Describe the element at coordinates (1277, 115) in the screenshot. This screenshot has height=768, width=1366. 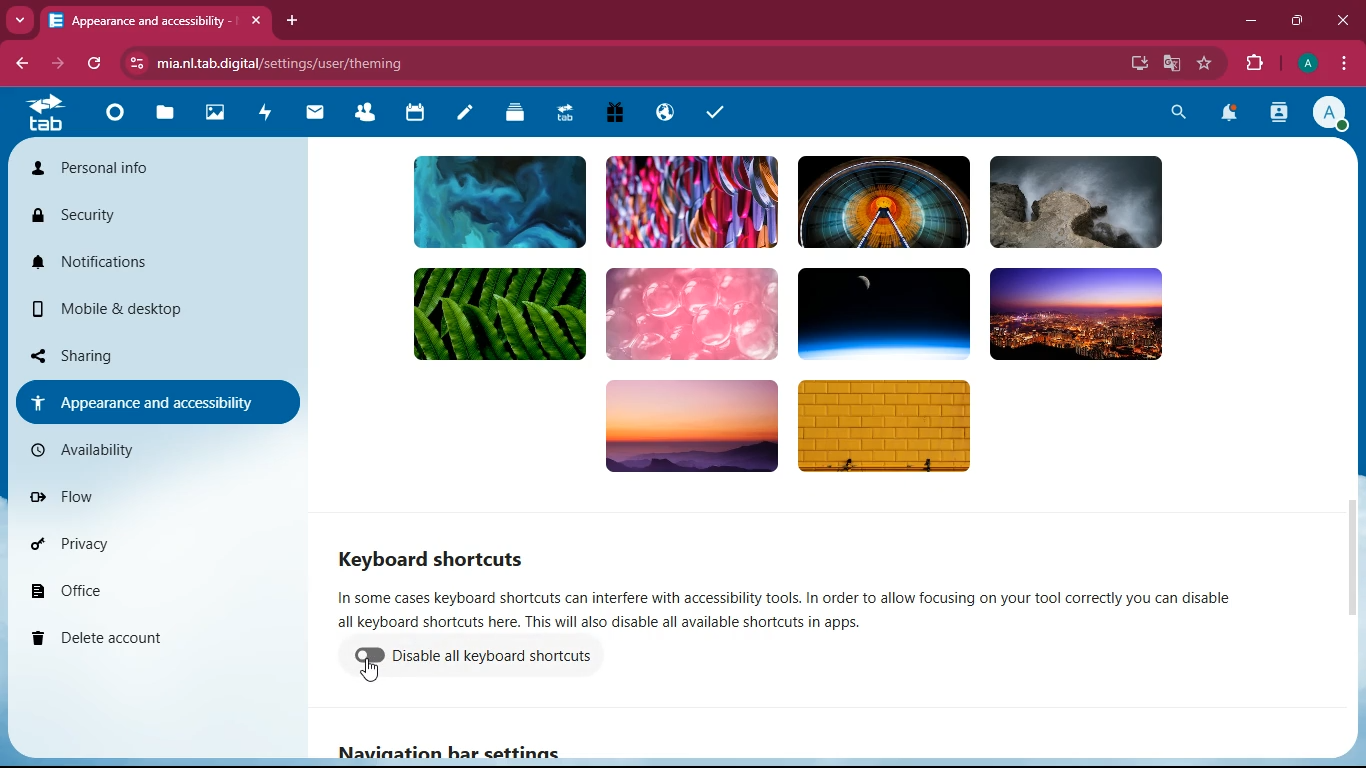
I see `activity` at that location.